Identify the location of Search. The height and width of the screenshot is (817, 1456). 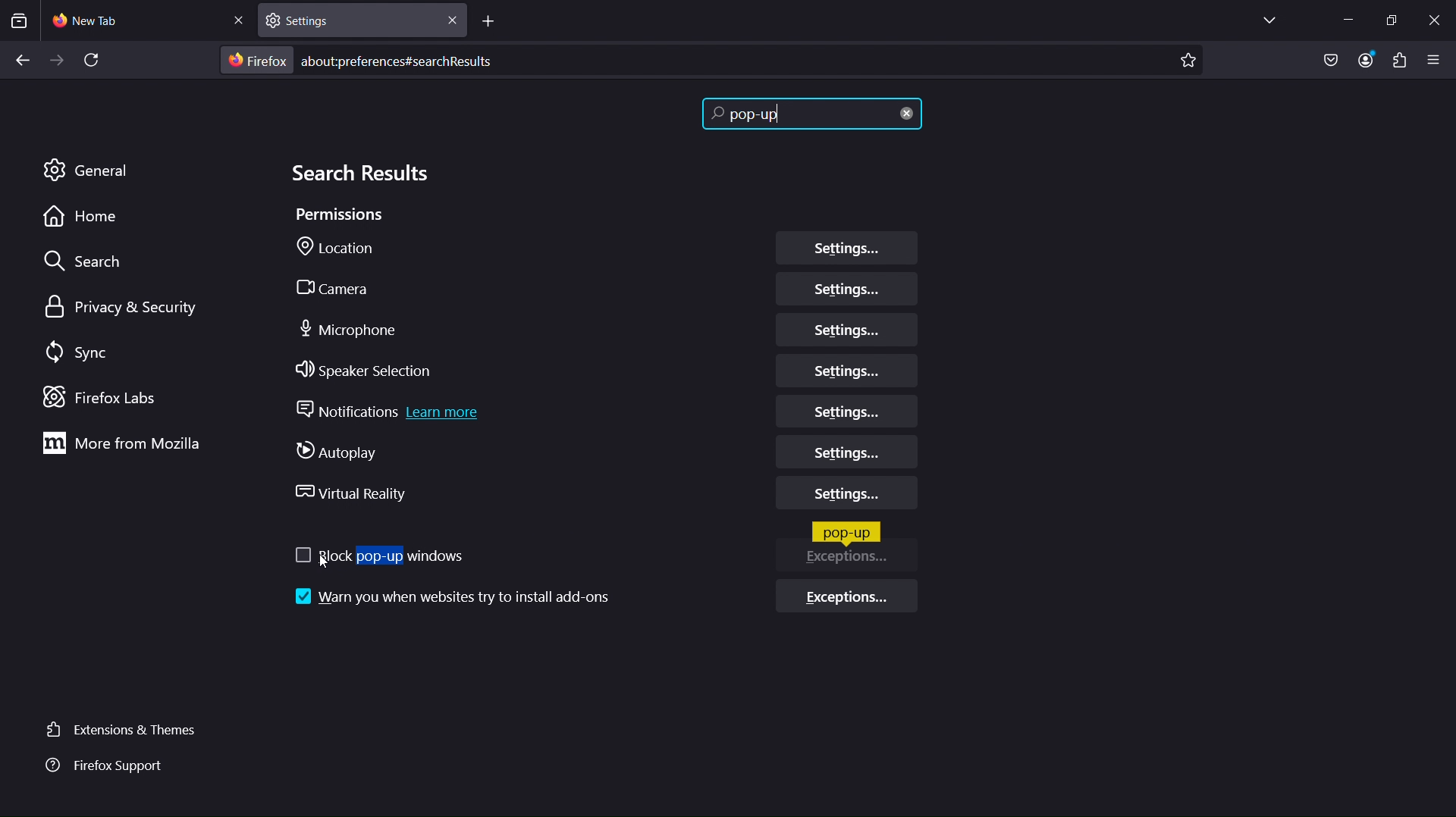
(85, 260).